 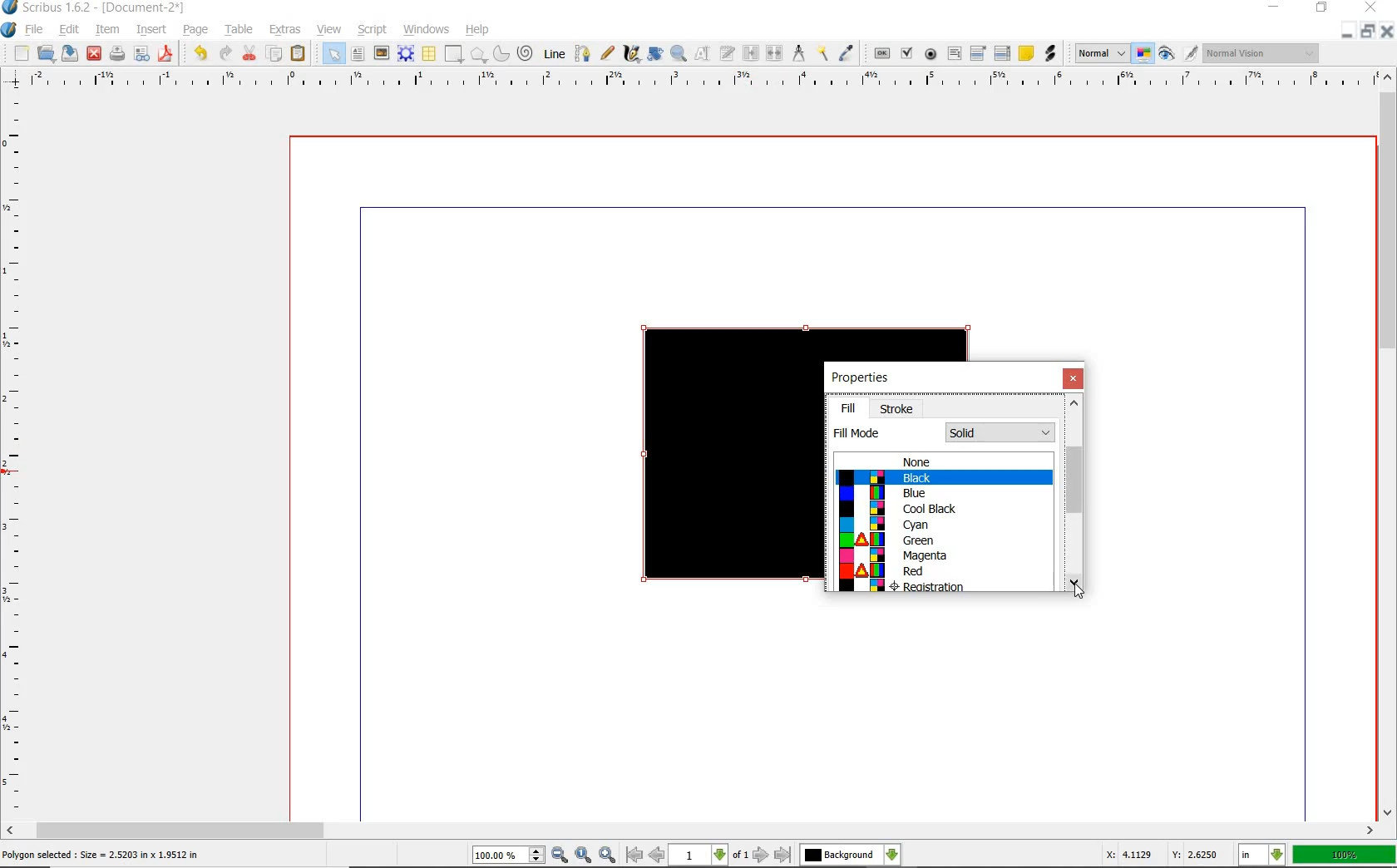 What do you see at coordinates (1364, 34) in the screenshot?
I see `RESTORE` at bounding box center [1364, 34].